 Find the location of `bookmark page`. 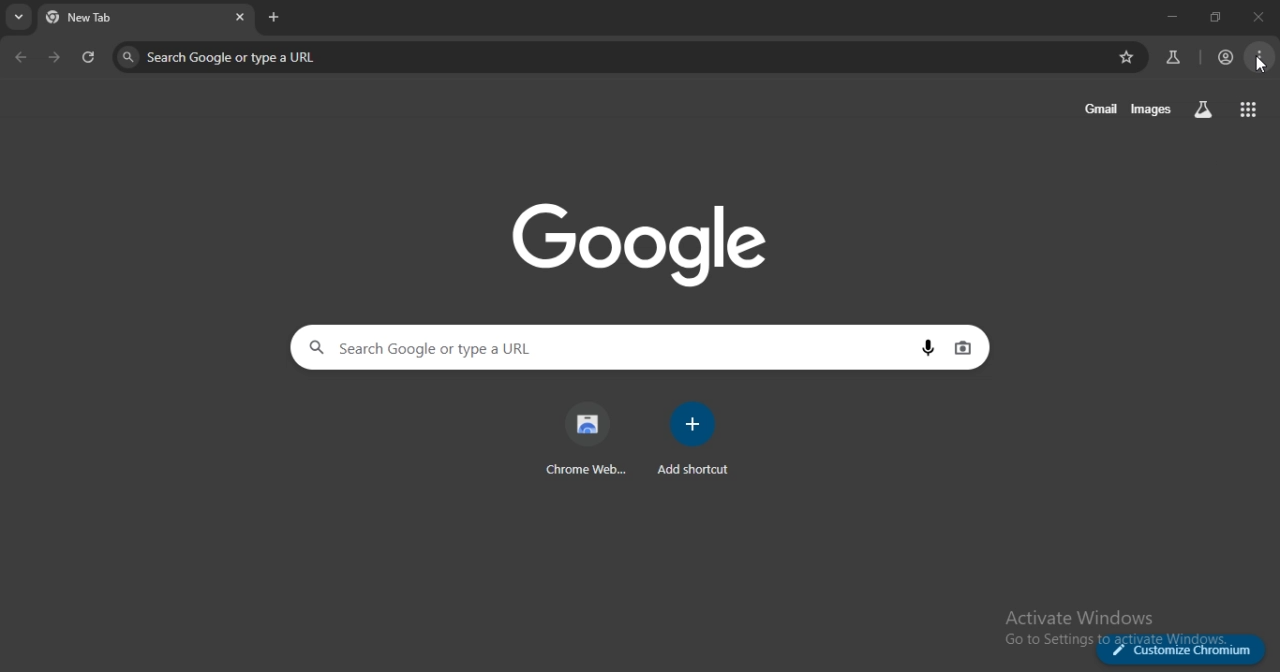

bookmark page is located at coordinates (1126, 58).